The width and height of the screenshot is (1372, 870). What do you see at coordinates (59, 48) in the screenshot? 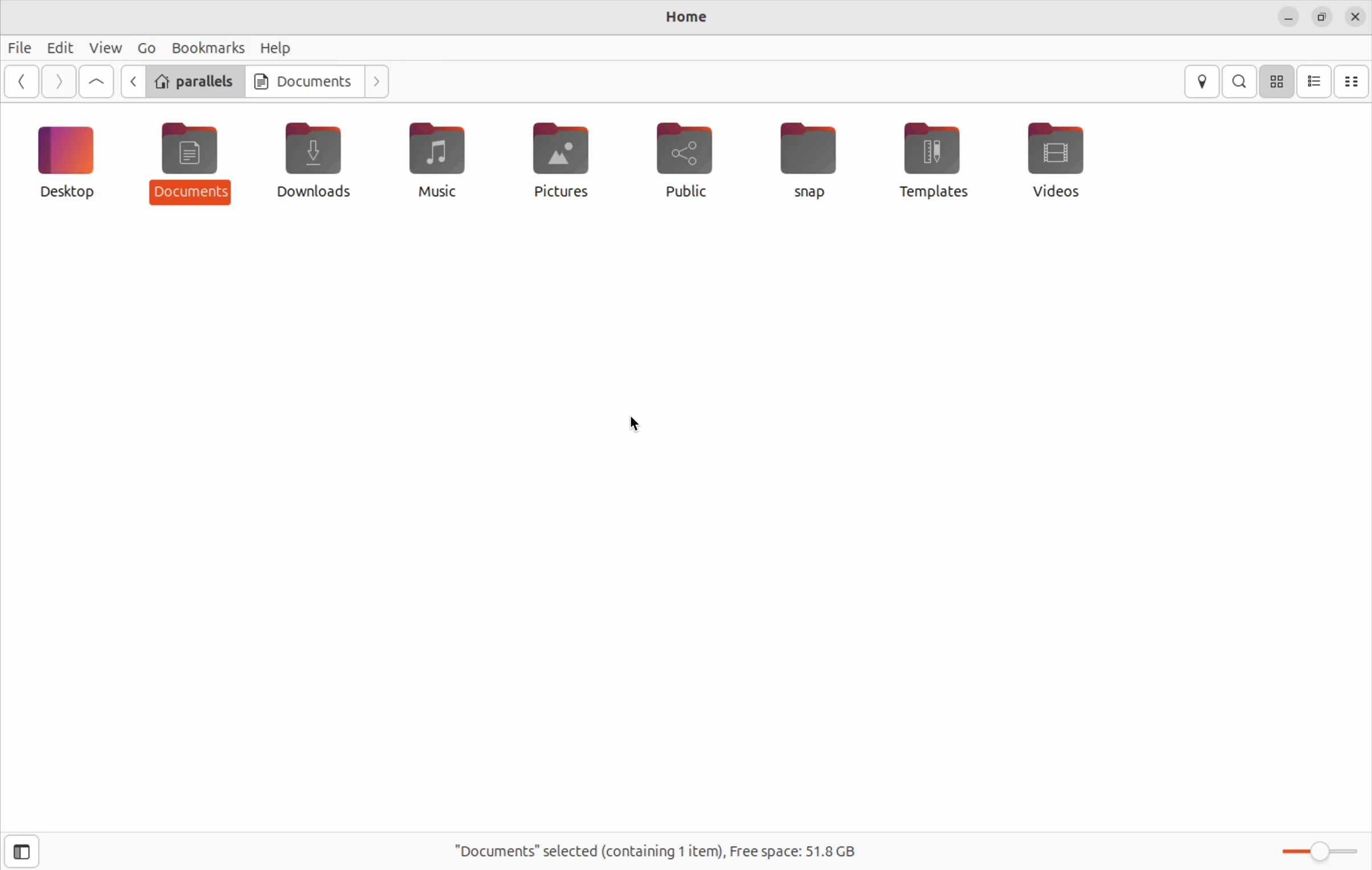
I see `Edit` at bounding box center [59, 48].